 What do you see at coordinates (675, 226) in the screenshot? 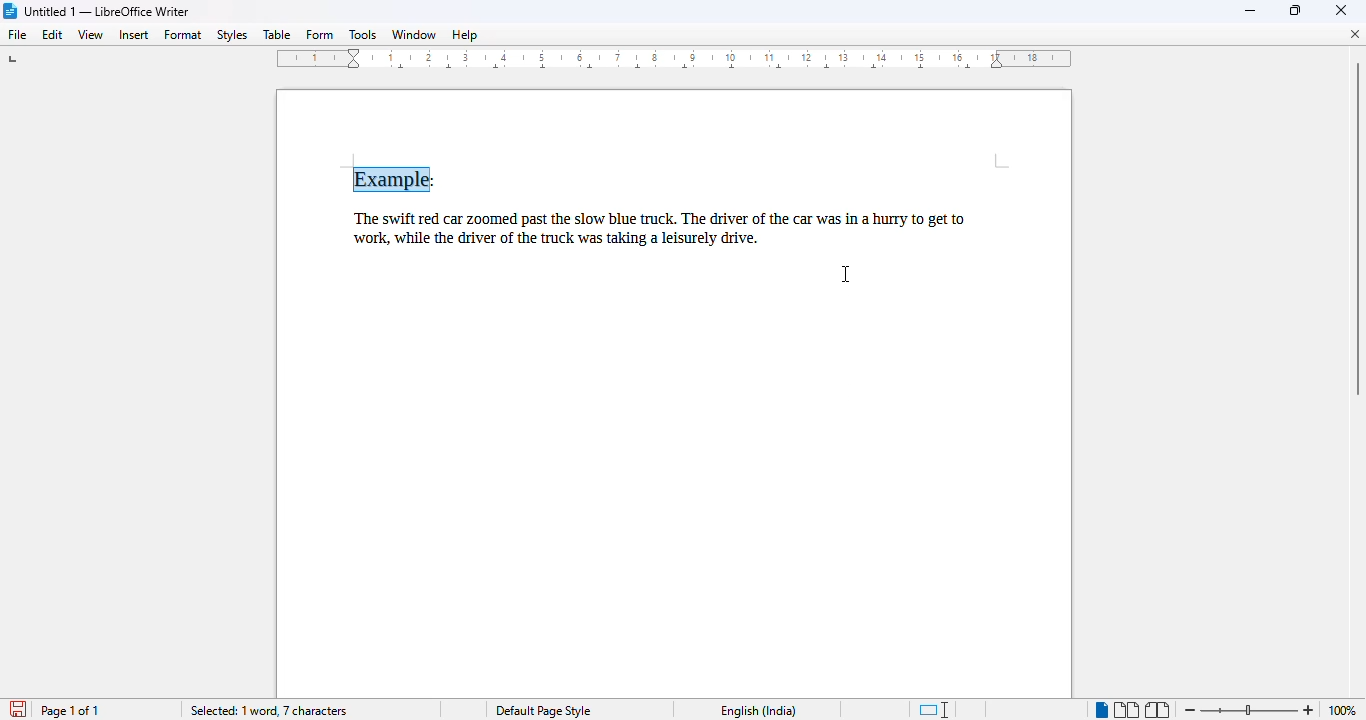
I see ` The swift red car zoomed past the slow blue truck. The driver of the car was in a hurry to get to work, while the driver of the truck was taking a leisurely drive.` at bounding box center [675, 226].